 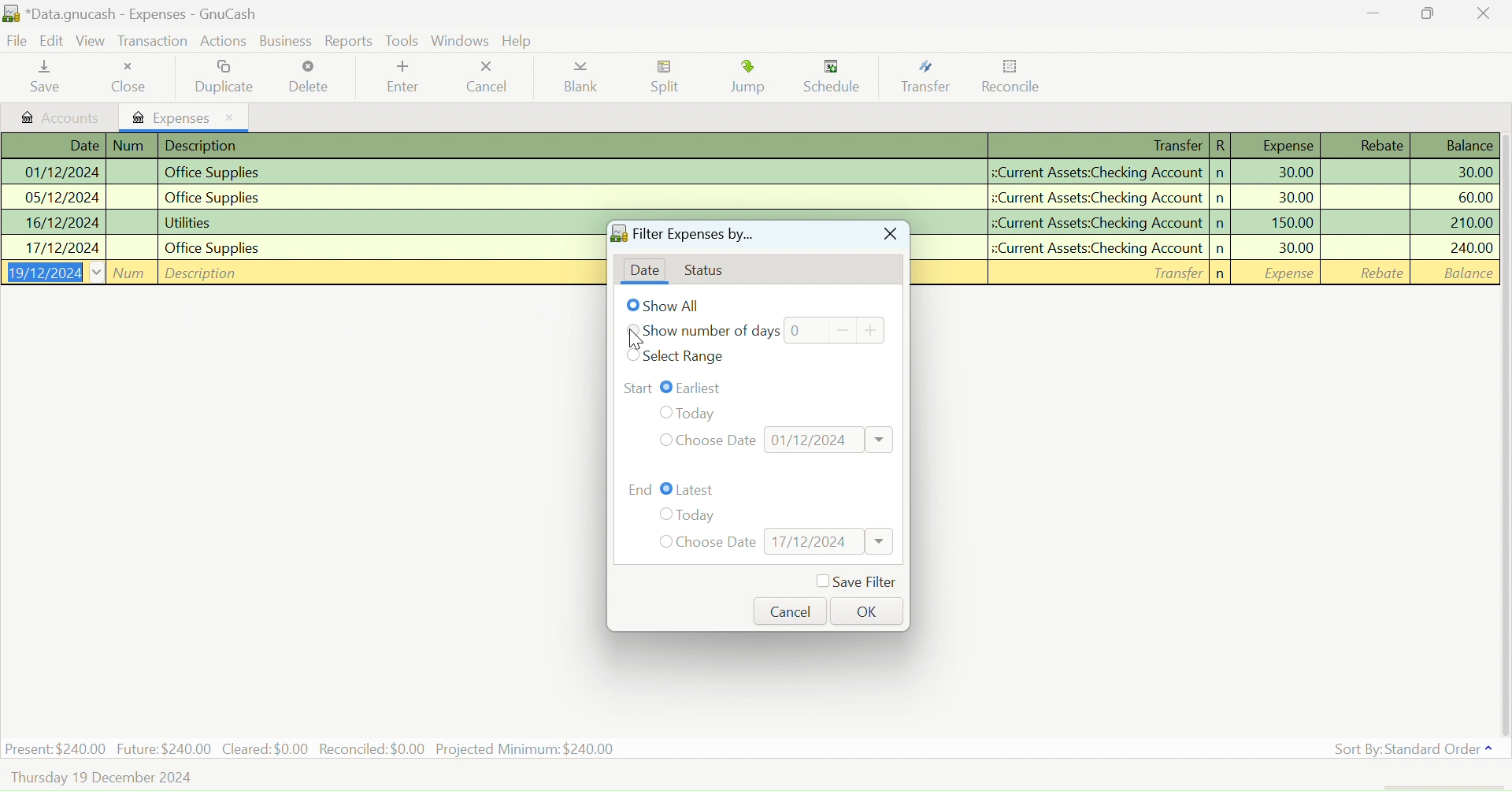 I want to click on Range Start: Earliest, so click(x=637, y=387).